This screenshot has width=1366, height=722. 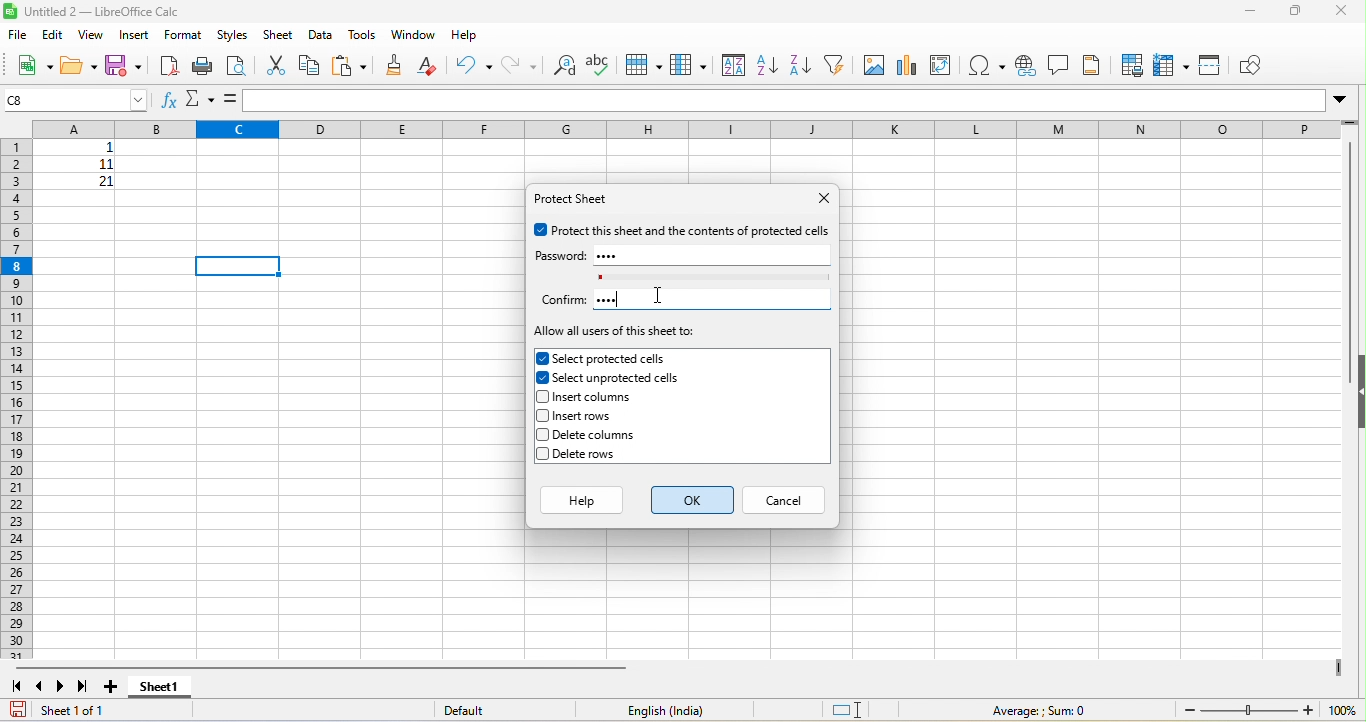 What do you see at coordinates (610, 416) in the screenshot?
I see `insert rows` at bounding box center [610, 416].